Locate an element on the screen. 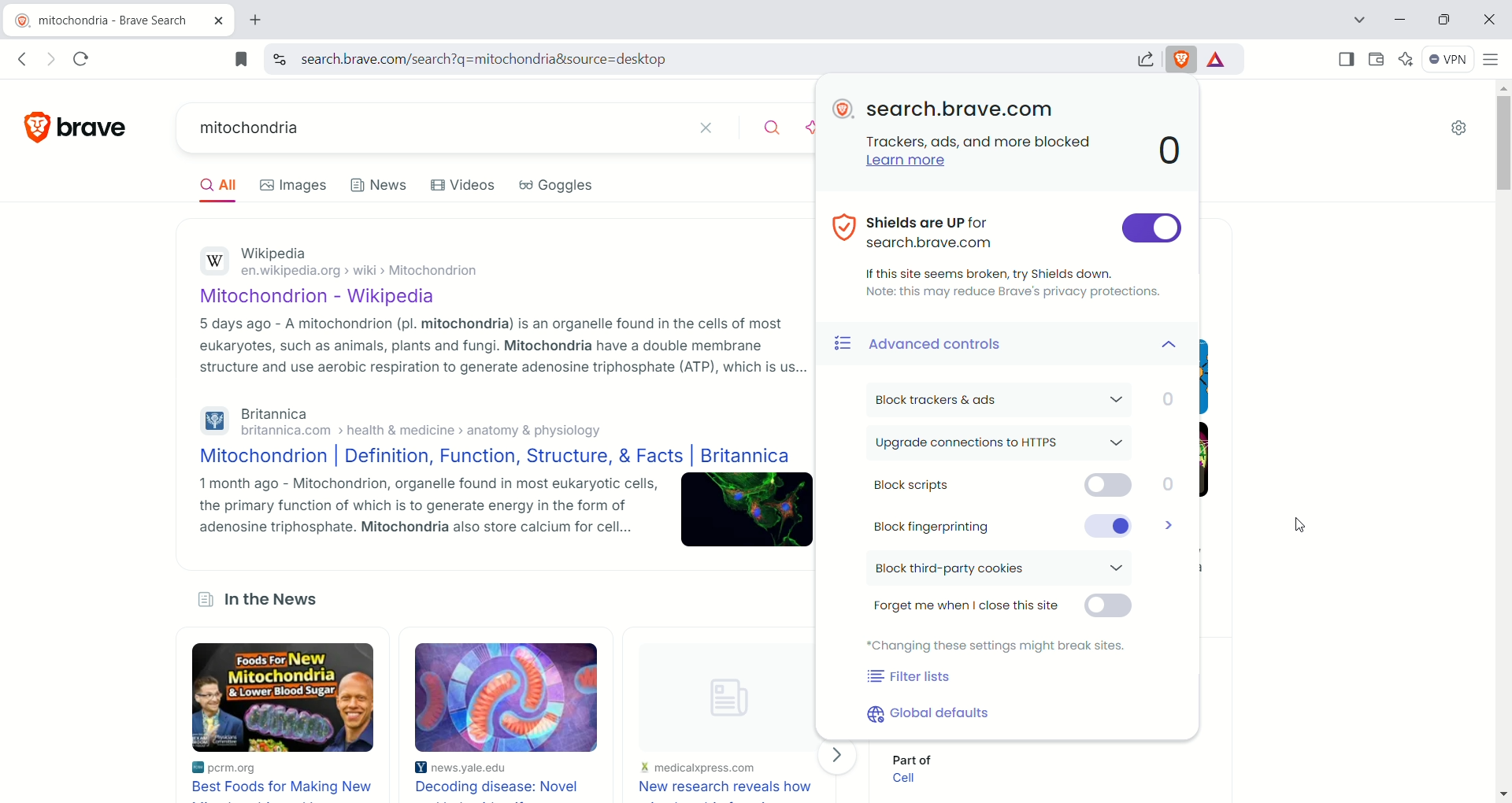 This screenshot has width=1512, height=803. close is located at coordinates (1488, 20).